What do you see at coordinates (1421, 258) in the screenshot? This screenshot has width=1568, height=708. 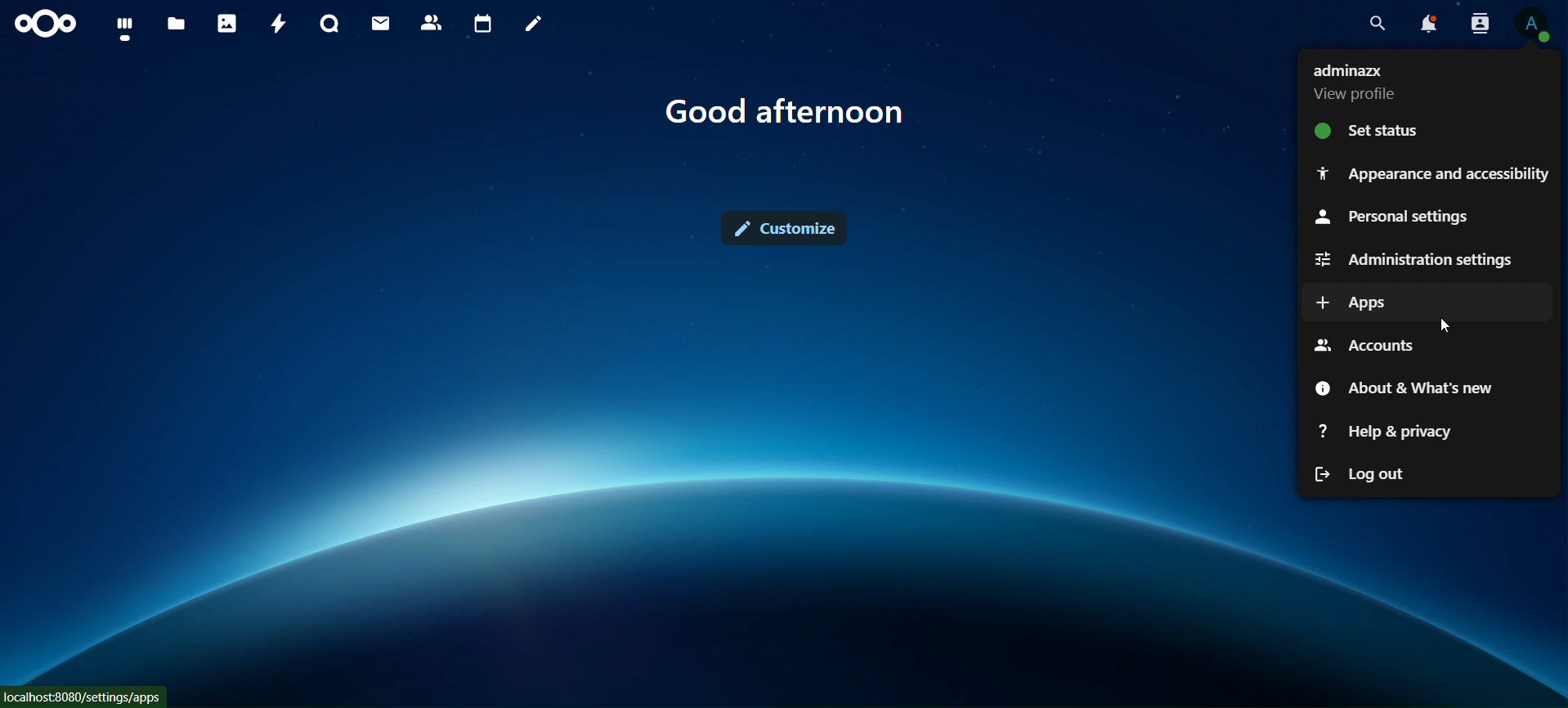 I see `administration settings` at bounding box center [1421, 258].